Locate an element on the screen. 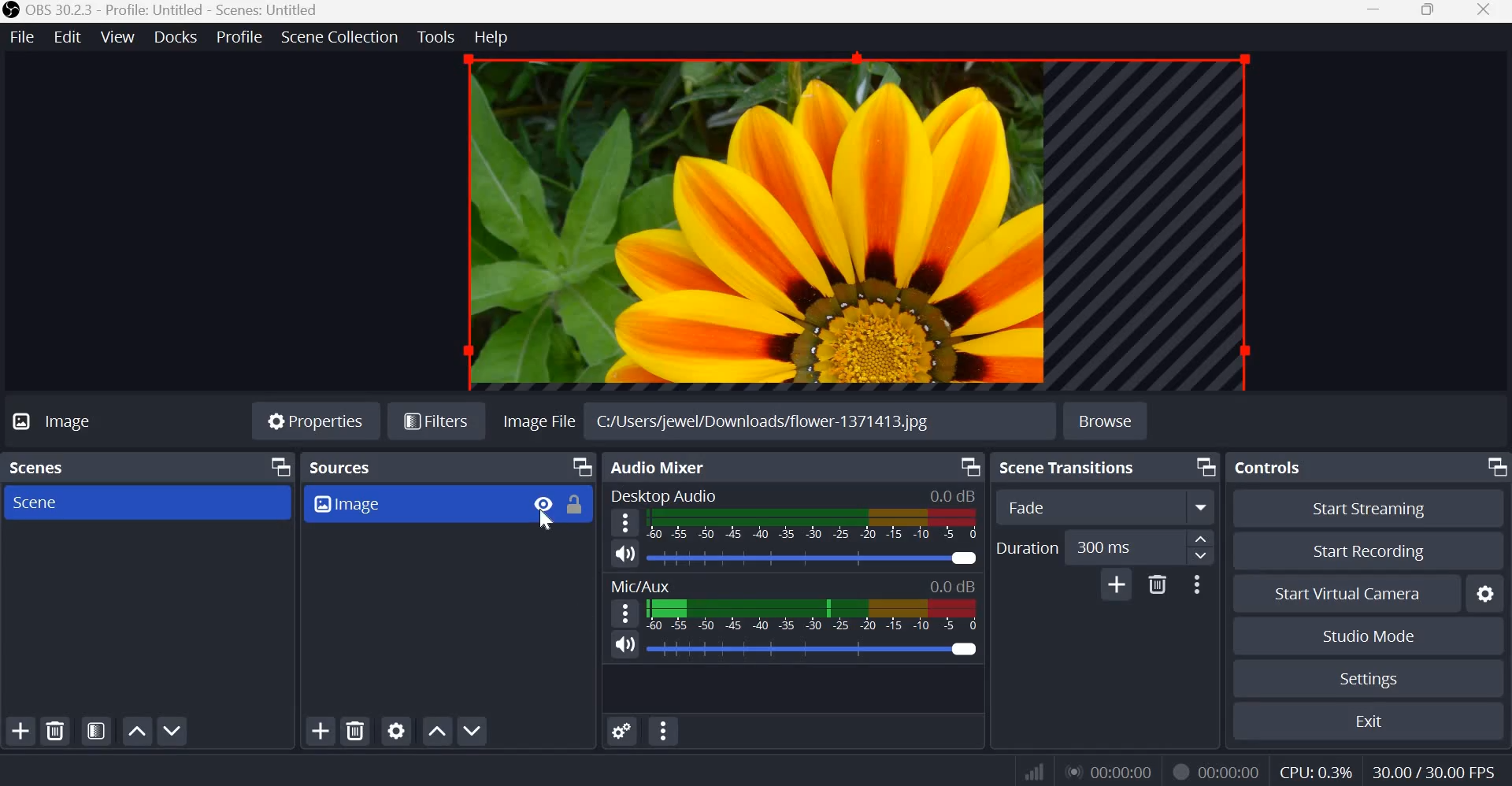 The height and width of the screenshot is (786, 1512). Start streaming is located at coordinates (1367, 508).